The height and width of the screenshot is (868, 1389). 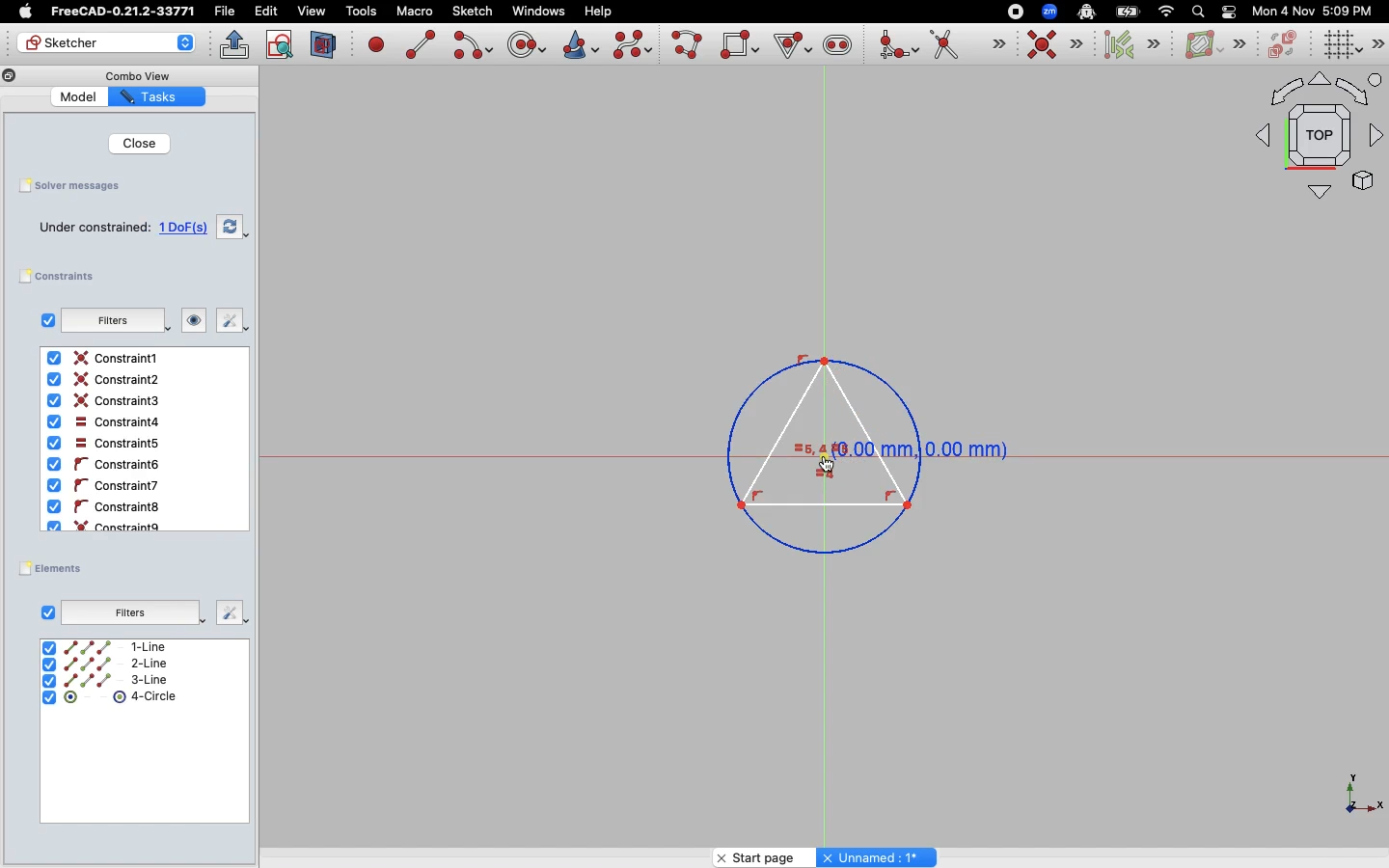 I want to click on Look, so click(x=194, y=322).